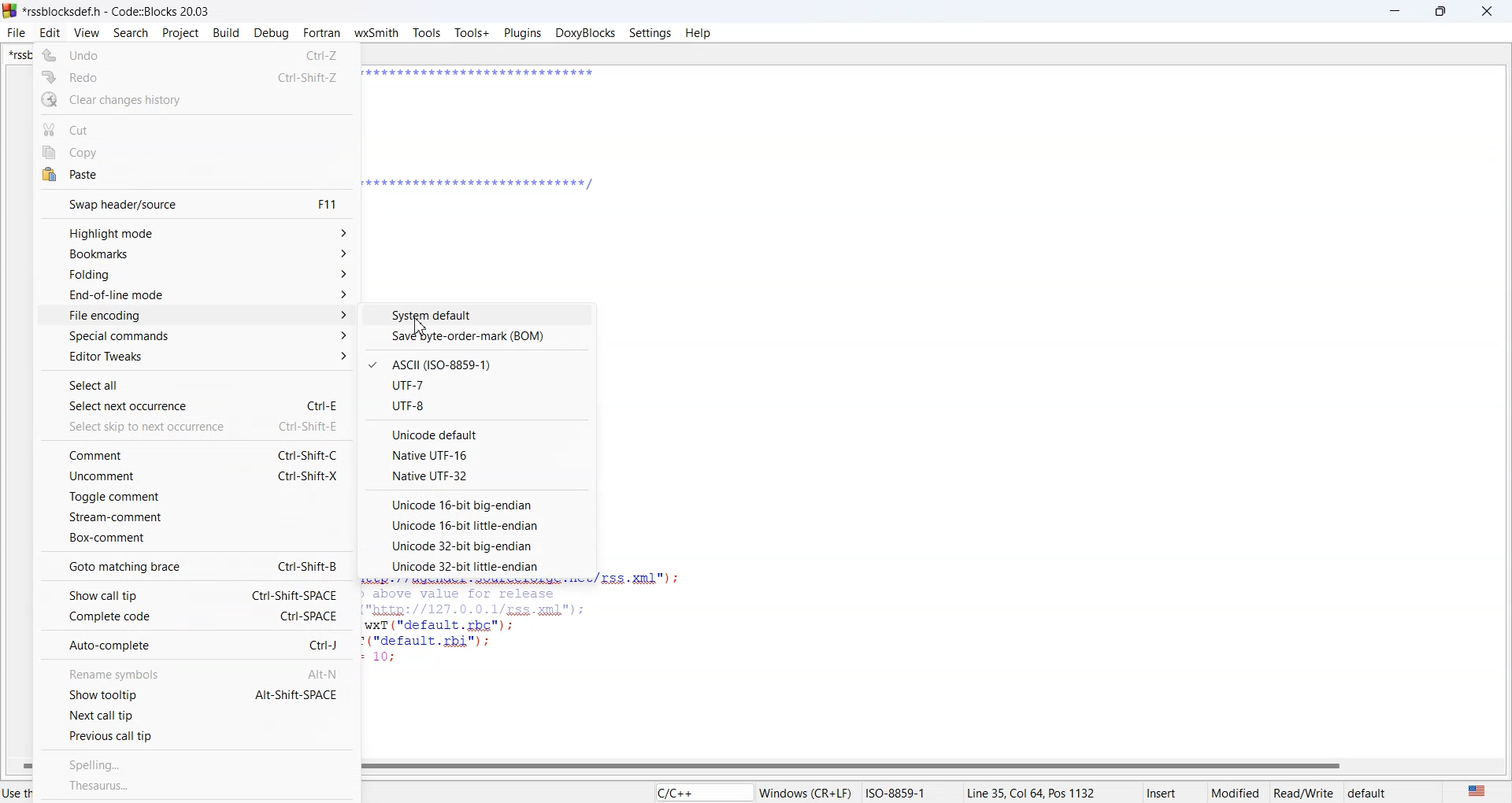 This screenshot has width=1512, height=803. I want to click on Stream comment, so click(195, 516).